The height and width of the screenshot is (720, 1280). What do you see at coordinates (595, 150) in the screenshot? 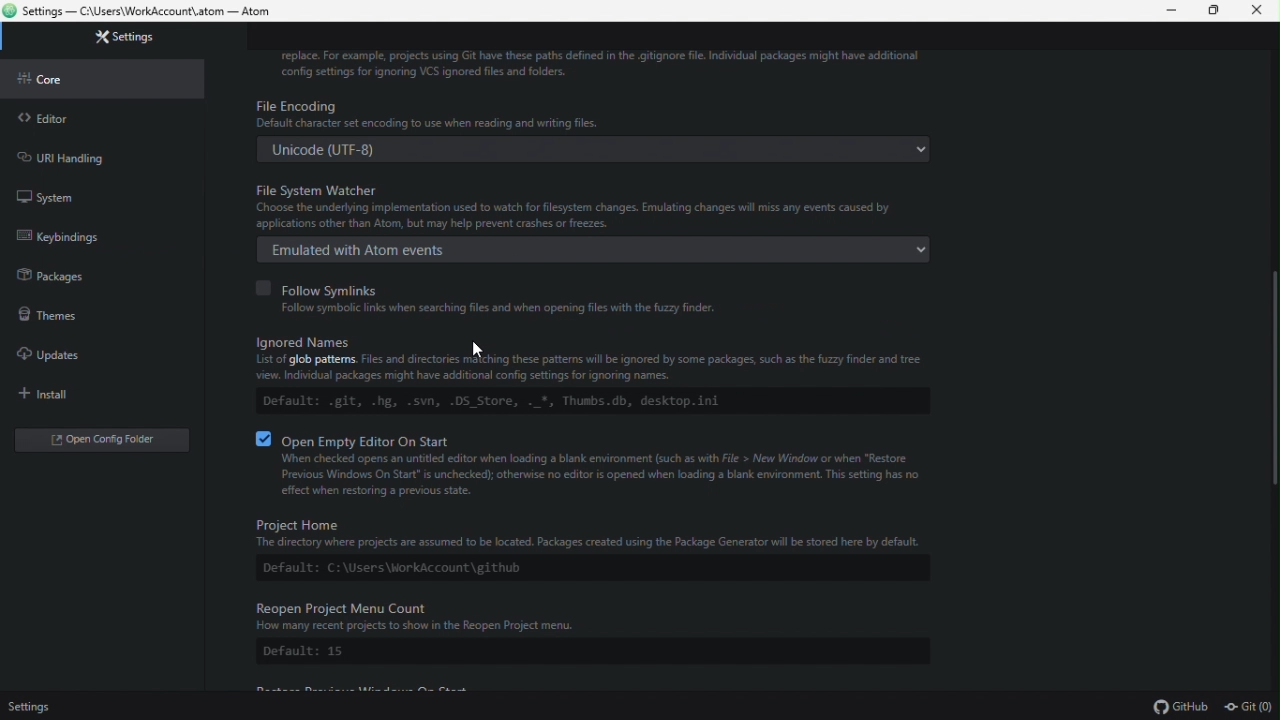
I see `Unicode (UTF-8)` at bounding box center [595, 150].